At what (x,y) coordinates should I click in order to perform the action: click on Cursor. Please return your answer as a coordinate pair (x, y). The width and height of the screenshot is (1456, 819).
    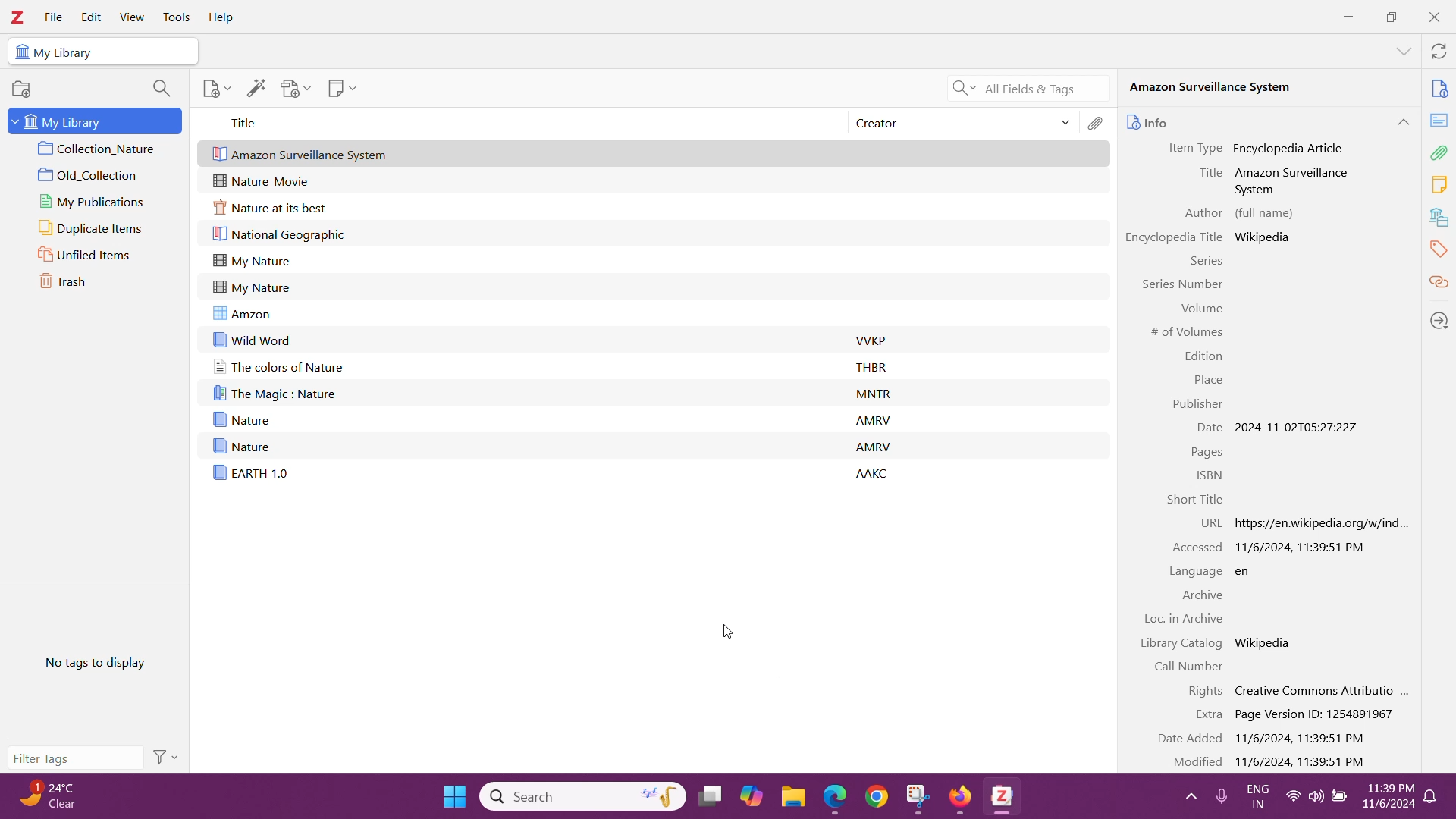
    Looking at the image, I should click on (725, 632).